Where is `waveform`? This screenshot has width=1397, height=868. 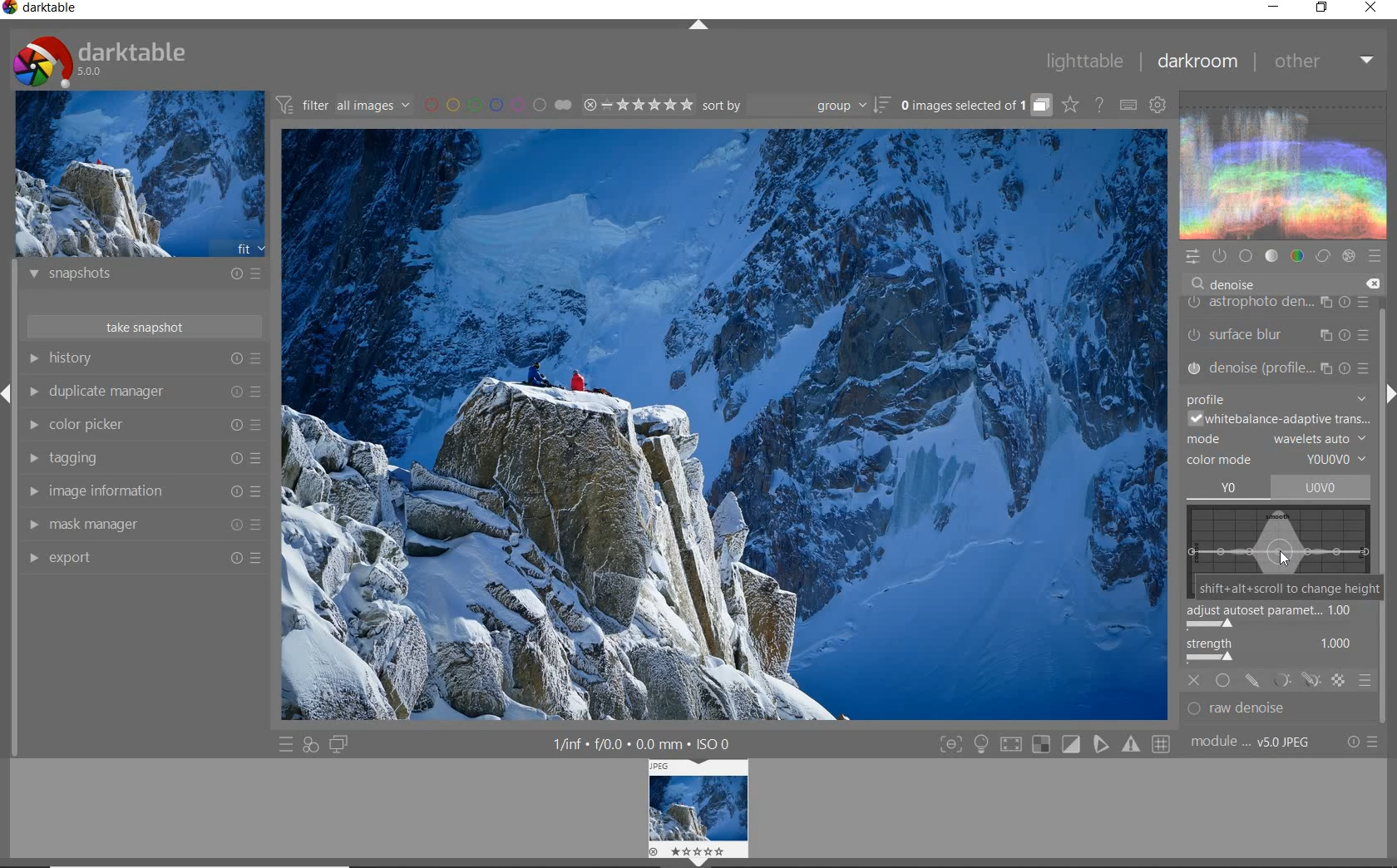
waveform is located at coordinates (1281, 164).